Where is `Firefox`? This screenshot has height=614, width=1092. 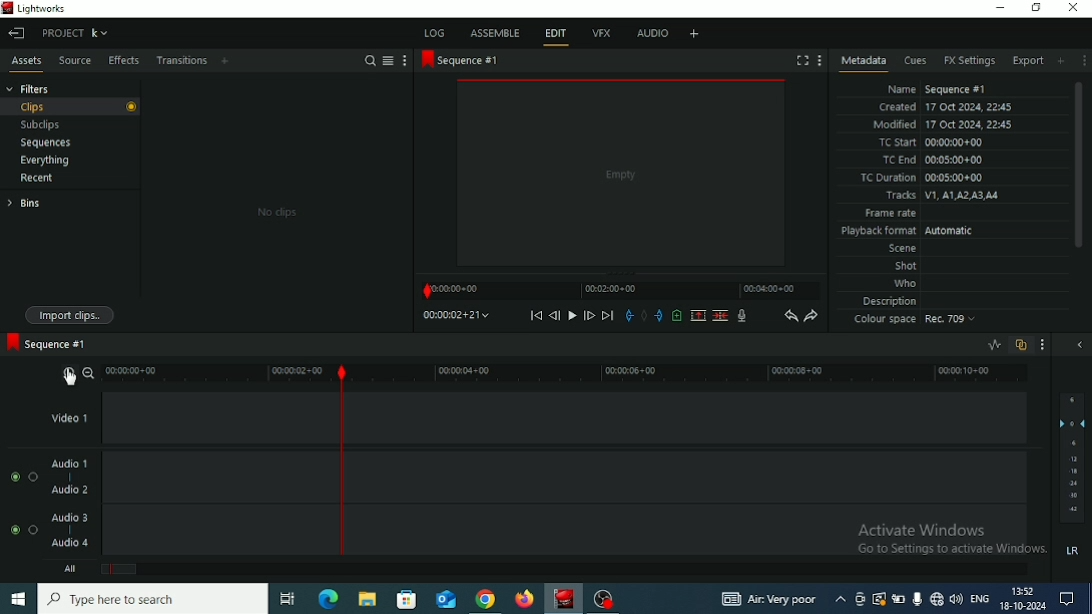
Firefox is located at coordinates (521, 600).